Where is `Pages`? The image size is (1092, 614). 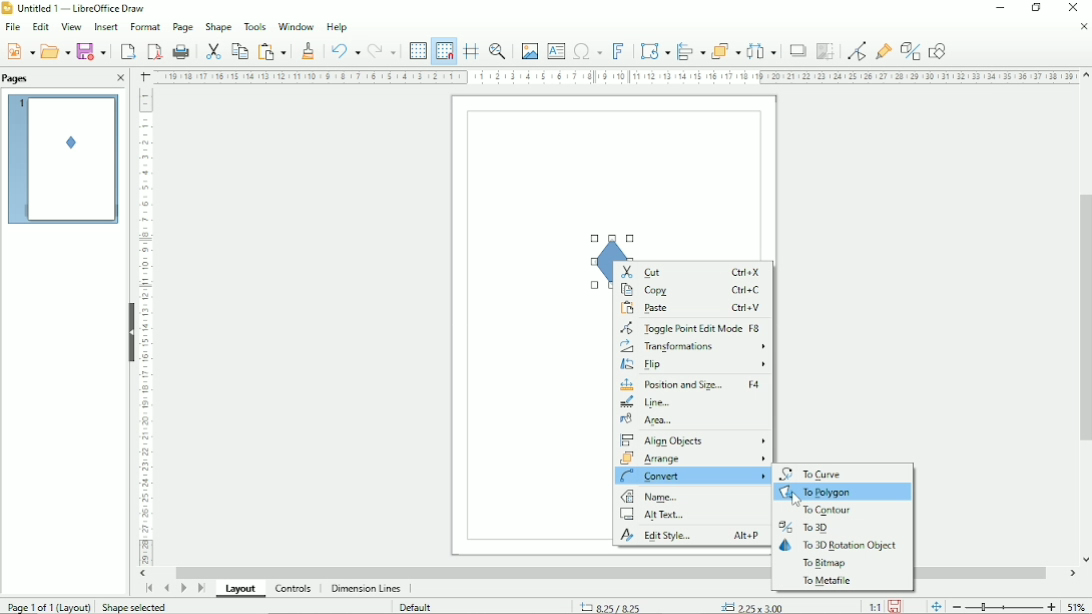 Pages is located at coordinates (18, 78).